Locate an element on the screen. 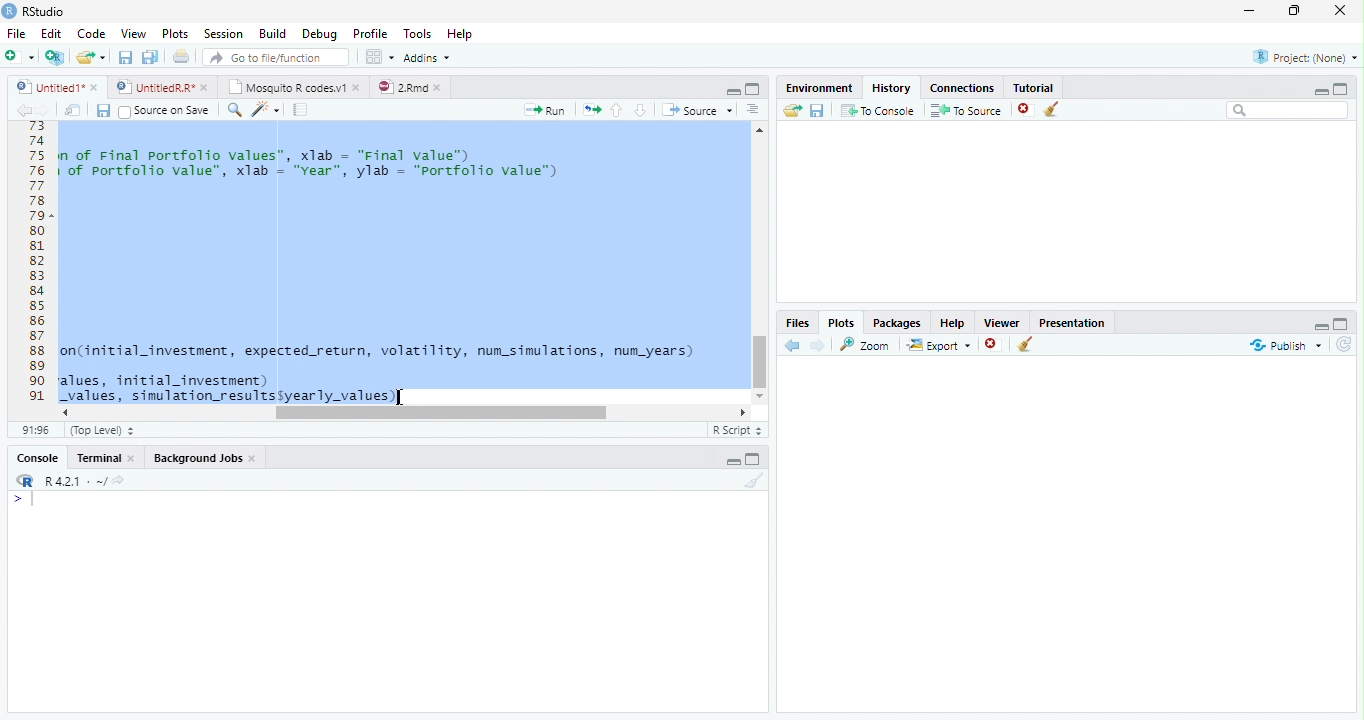 This screenshot has height=720, width=1364. Run is located at coordinates (546, 110).